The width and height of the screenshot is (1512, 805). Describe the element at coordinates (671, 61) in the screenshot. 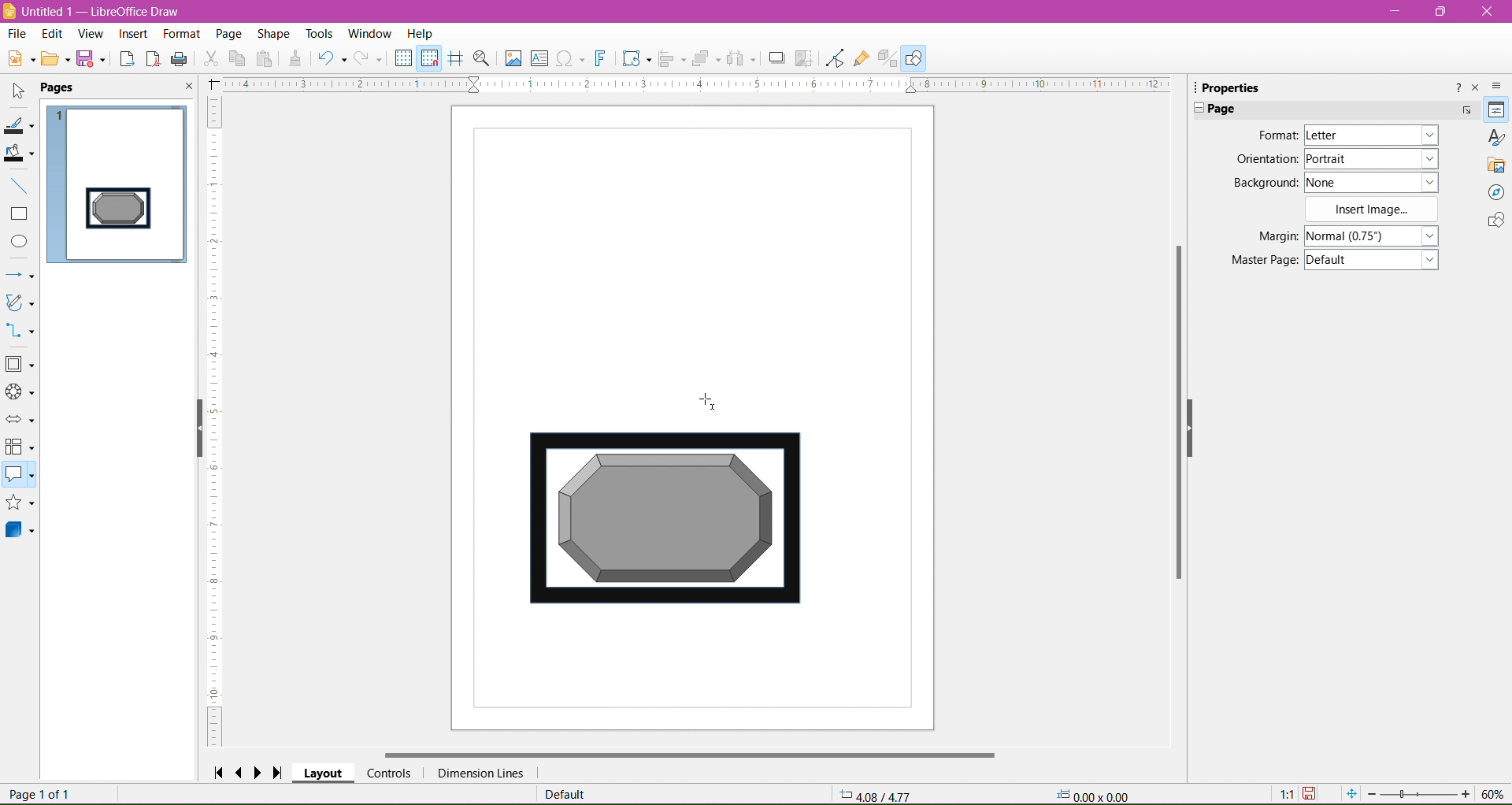

I see `Align Objects` at that location.